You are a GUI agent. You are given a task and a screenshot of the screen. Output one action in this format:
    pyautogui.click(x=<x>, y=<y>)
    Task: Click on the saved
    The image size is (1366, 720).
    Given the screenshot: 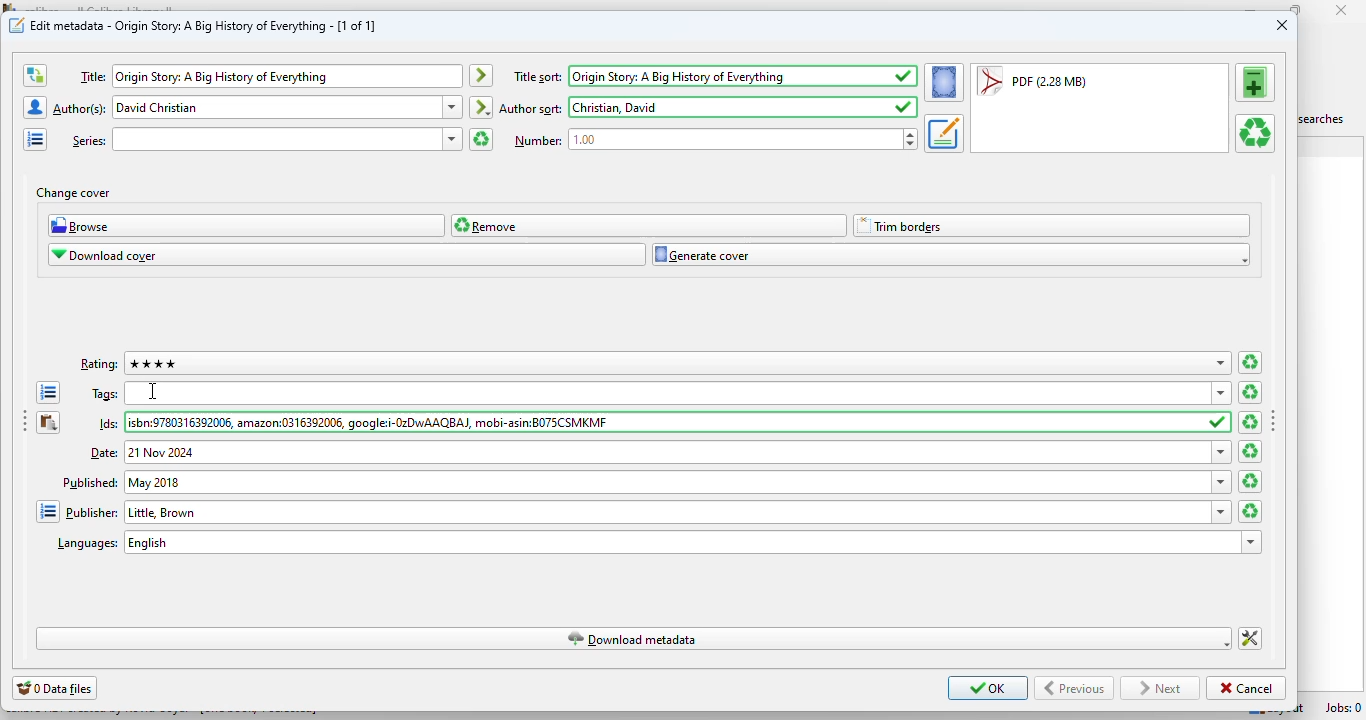 What is the action you would take?
    pyautogui.click(x=905, y=76)
    